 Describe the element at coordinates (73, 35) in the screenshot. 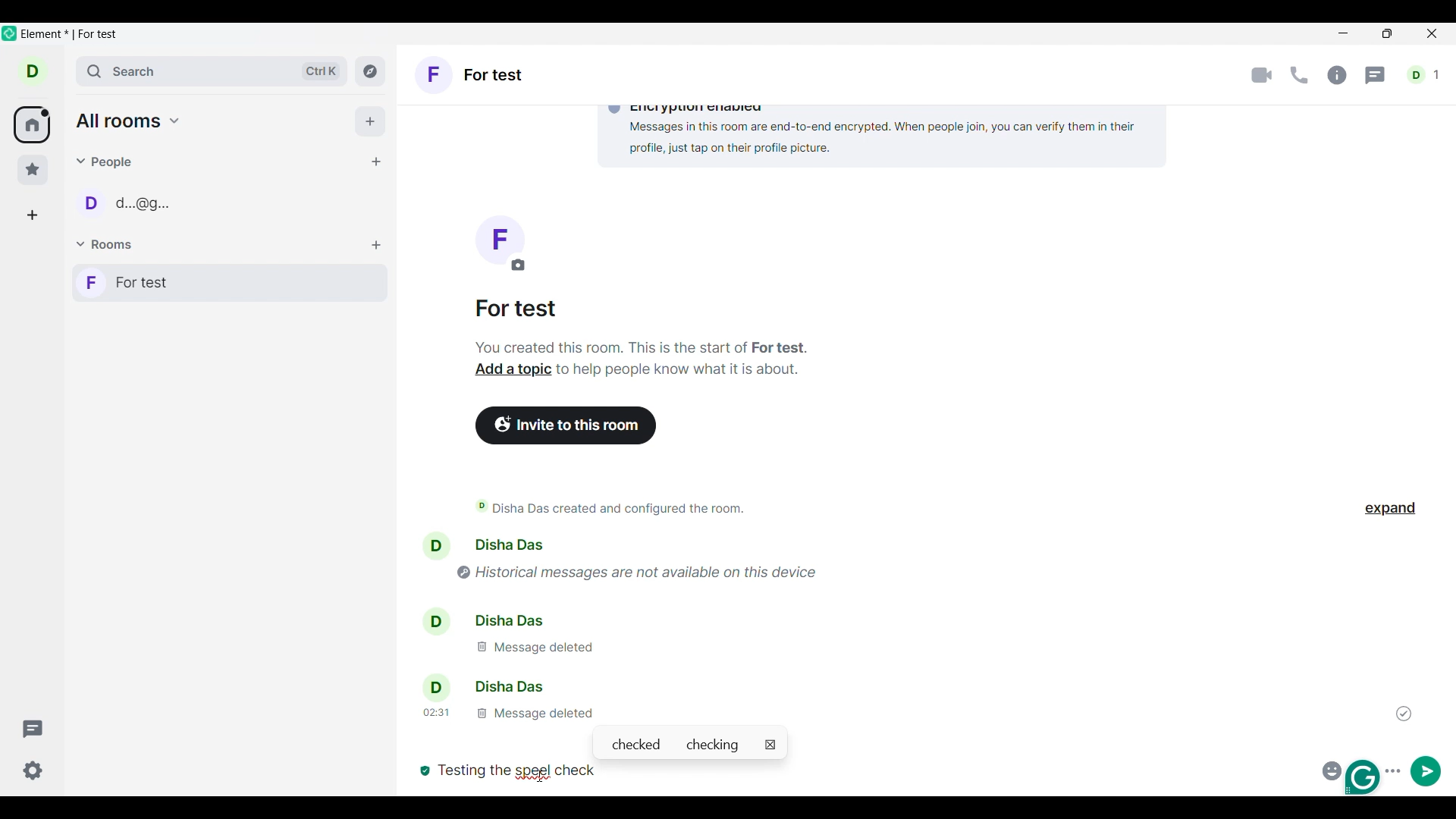

I see `Software and room name` at that location.